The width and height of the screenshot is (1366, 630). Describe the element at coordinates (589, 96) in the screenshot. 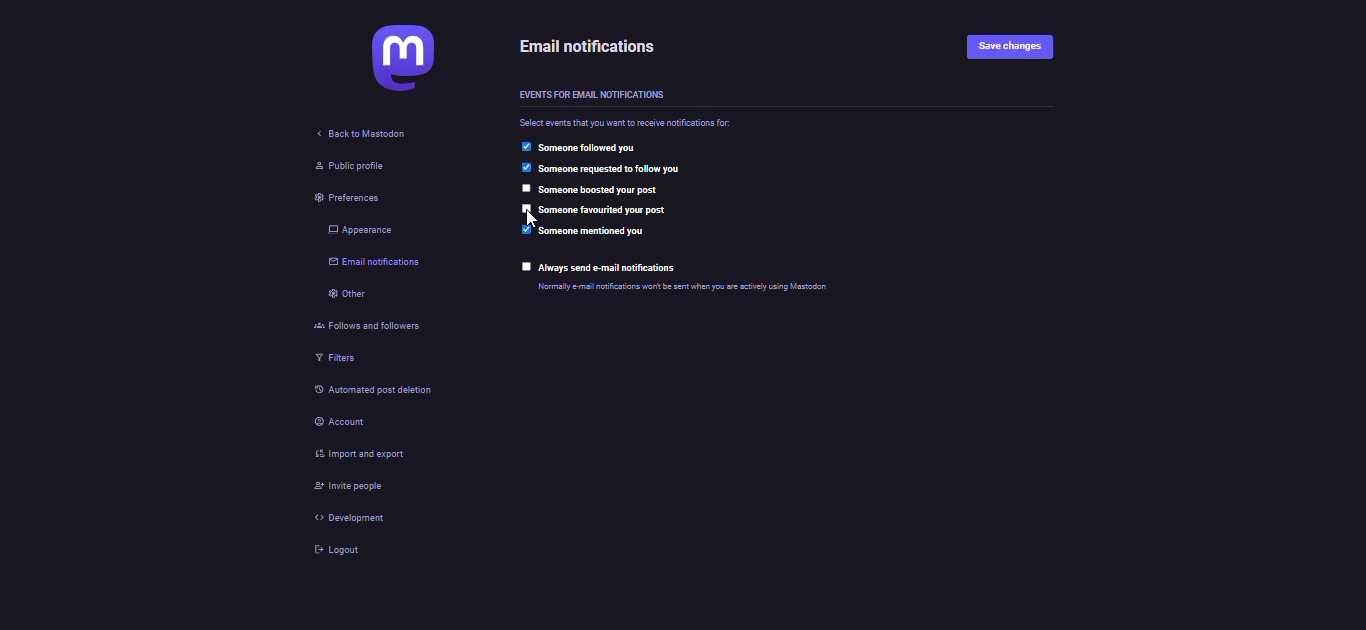

I see `events` at that location.